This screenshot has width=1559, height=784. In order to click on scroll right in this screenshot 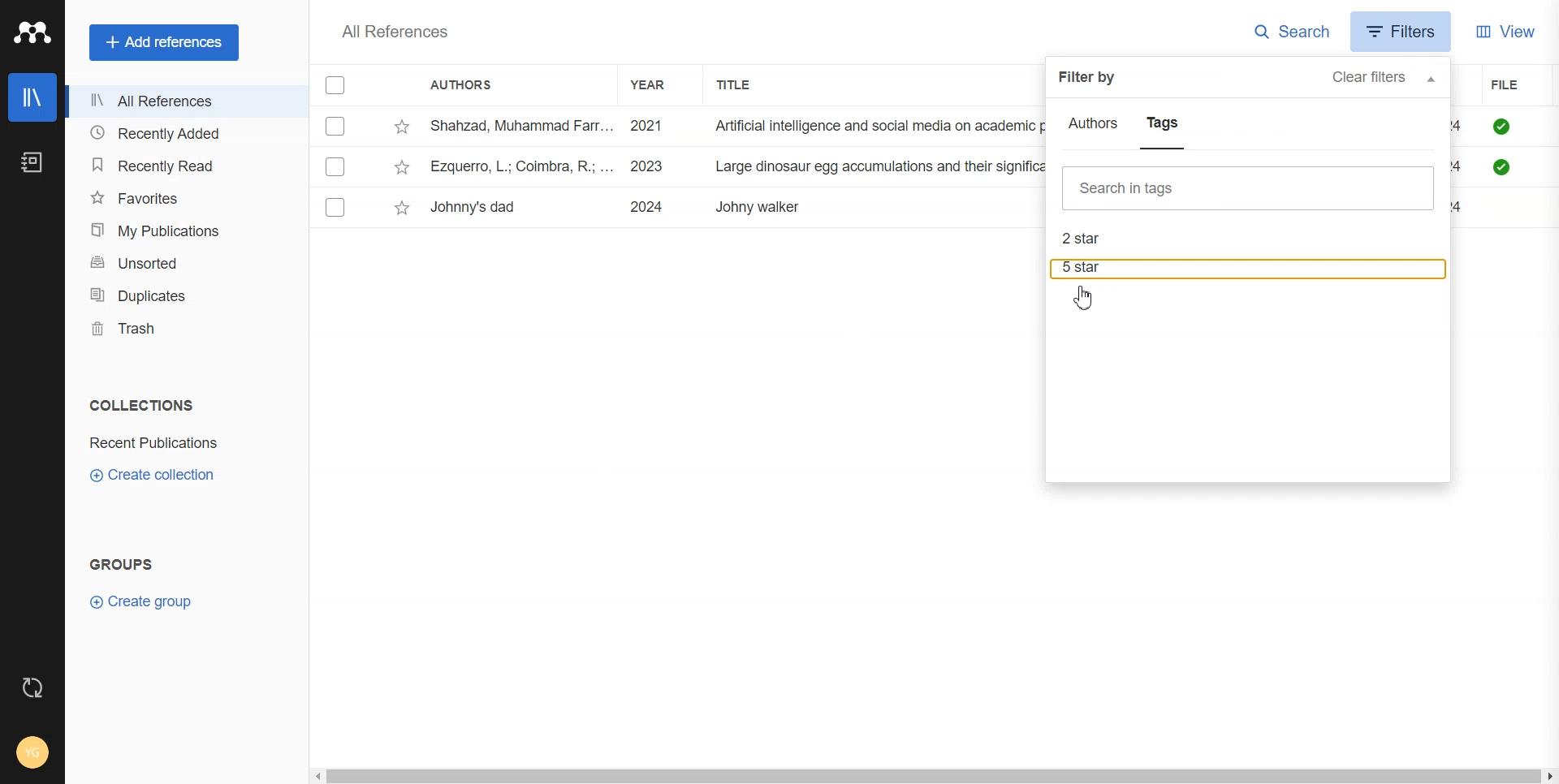, I will do `click(1549, 778)`.